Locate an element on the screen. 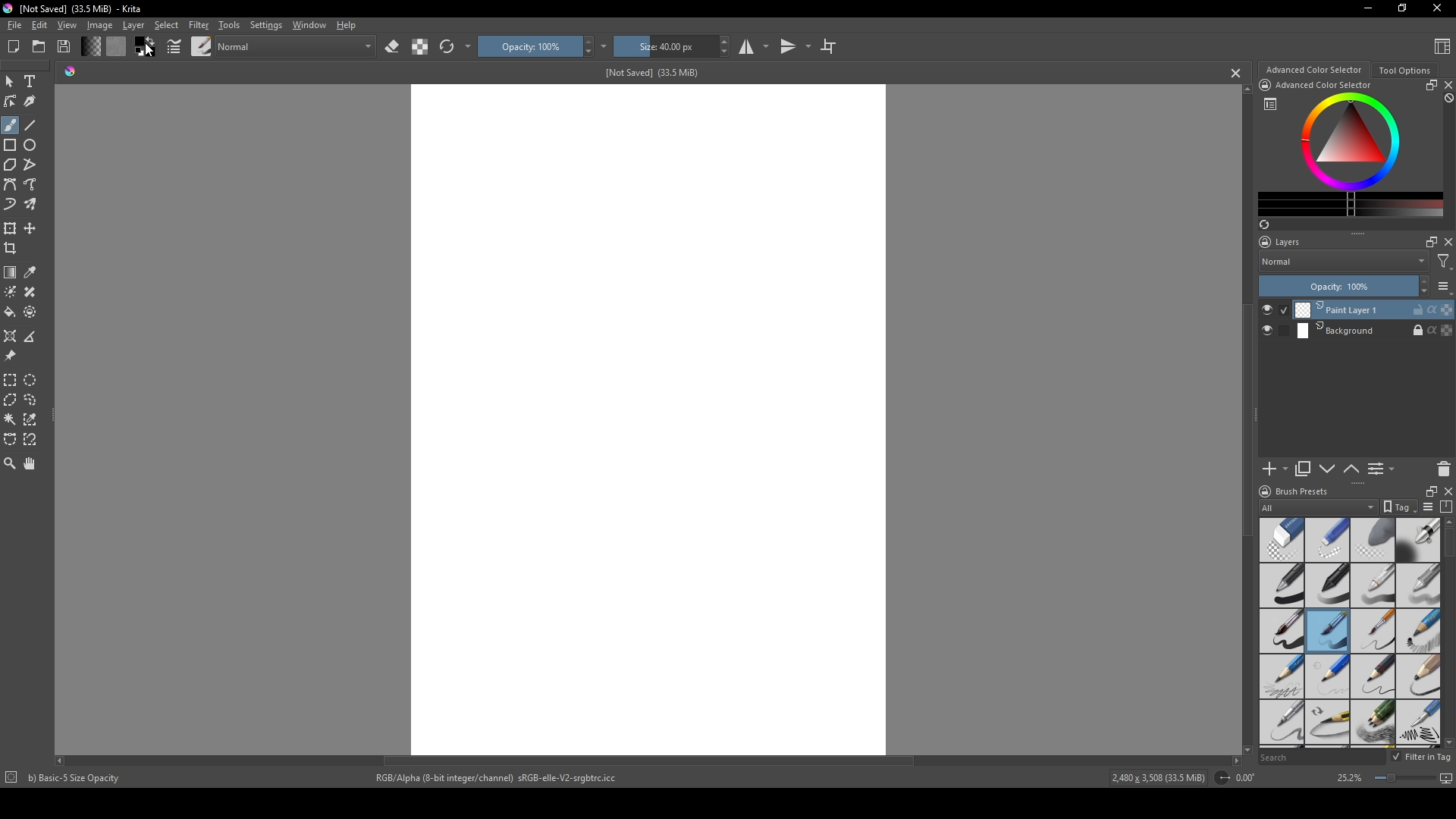 This screenshot has width=1456, height=819. b) Basic-5 Size Opacity is located at coordinates (77, 778).